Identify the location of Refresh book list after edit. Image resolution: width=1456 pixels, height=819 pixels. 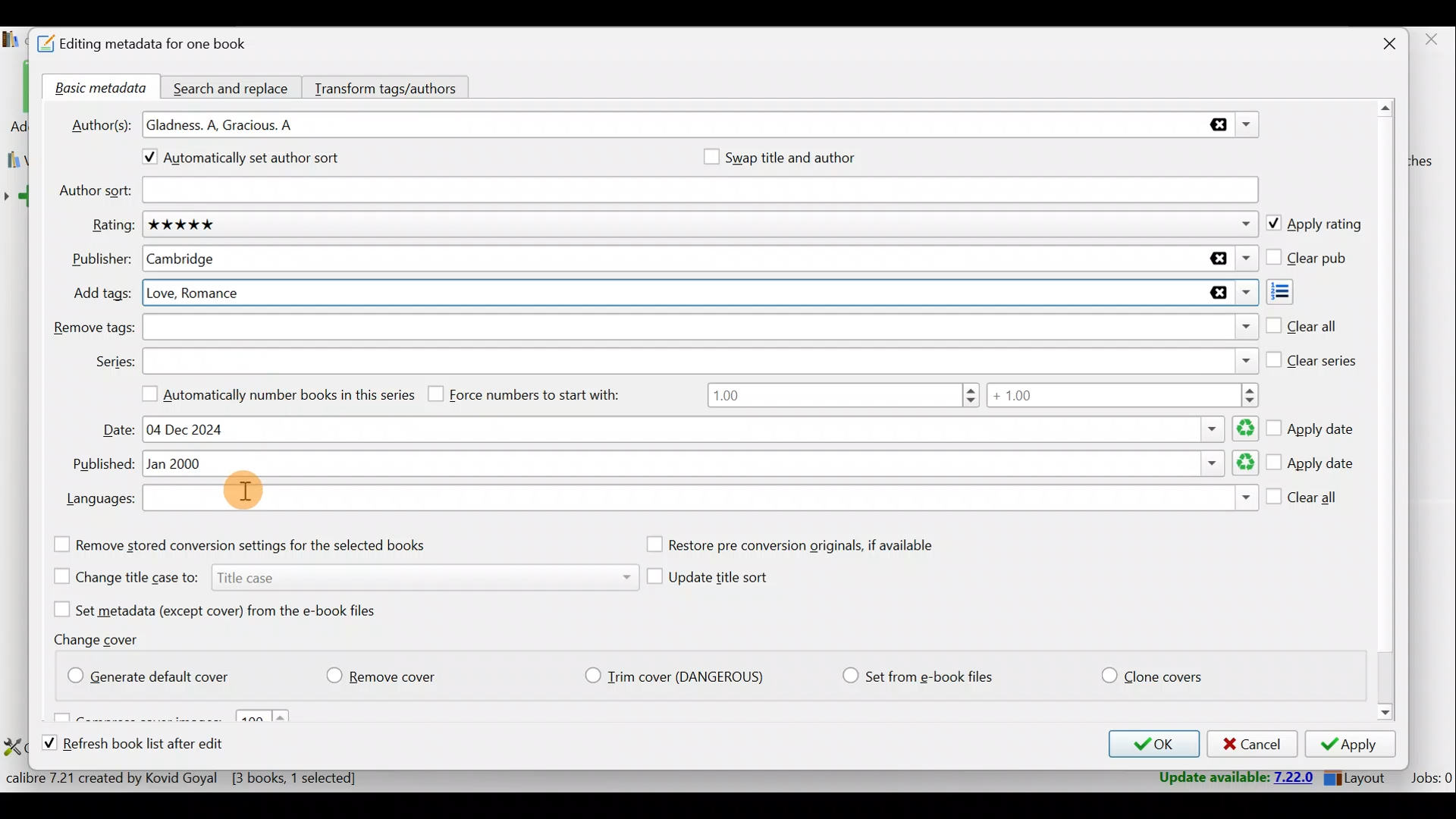
(147, 745).